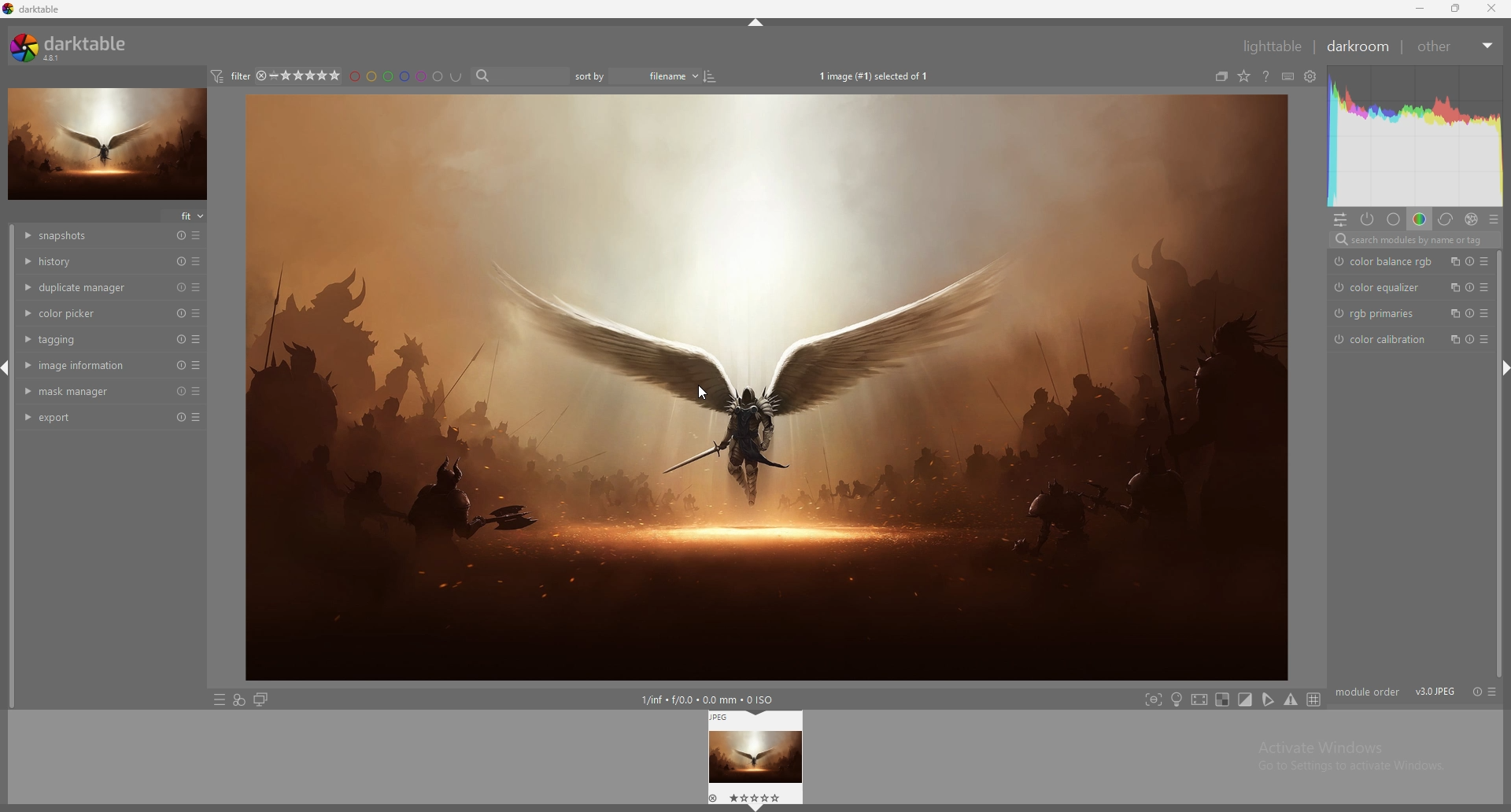  What do you see at coordinates (1340, 220) in the screenshot?
I see `quick actions panel` at bounding box center [1340, 220].